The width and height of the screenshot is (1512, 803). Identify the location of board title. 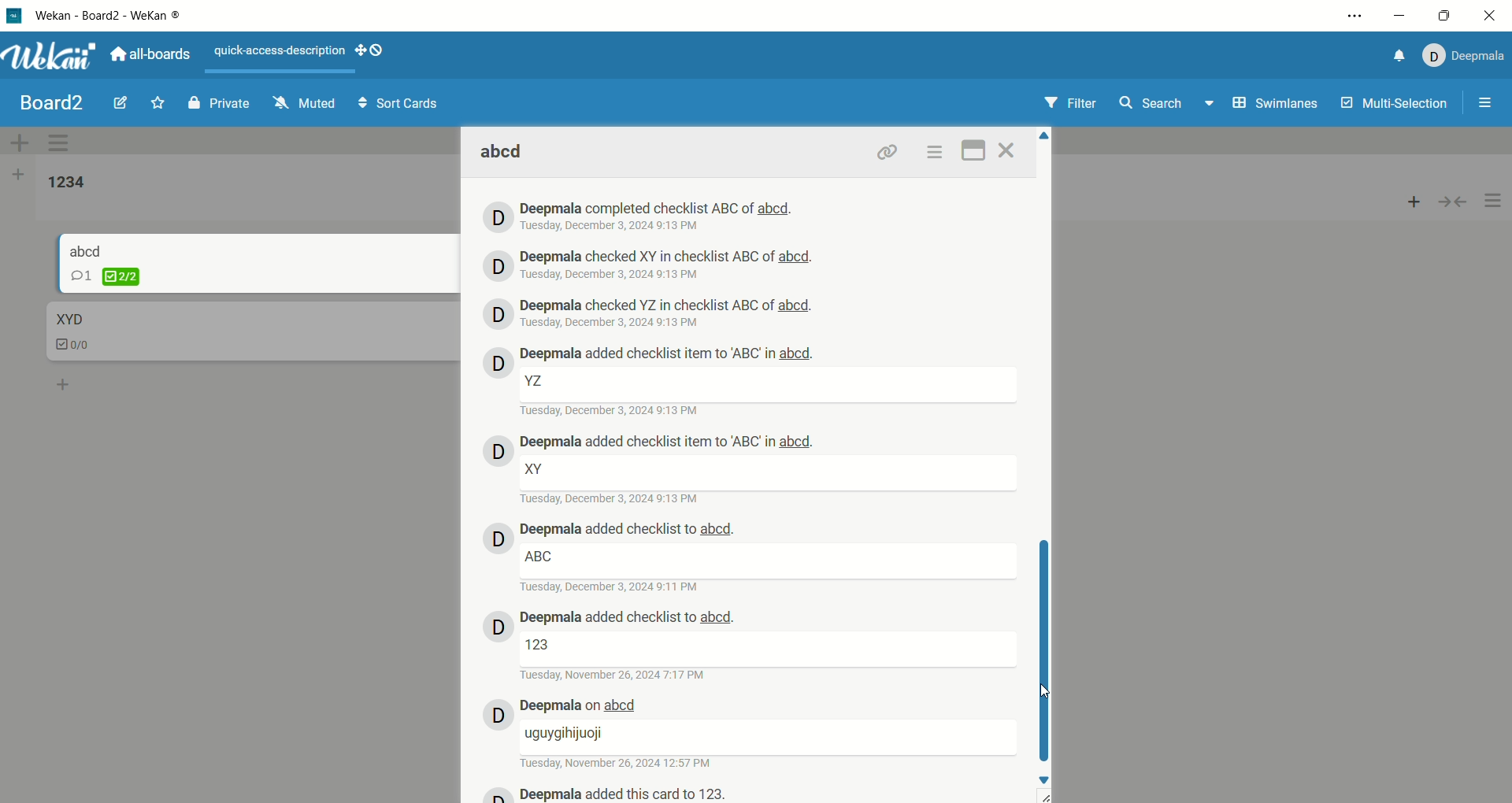
(54, 103).